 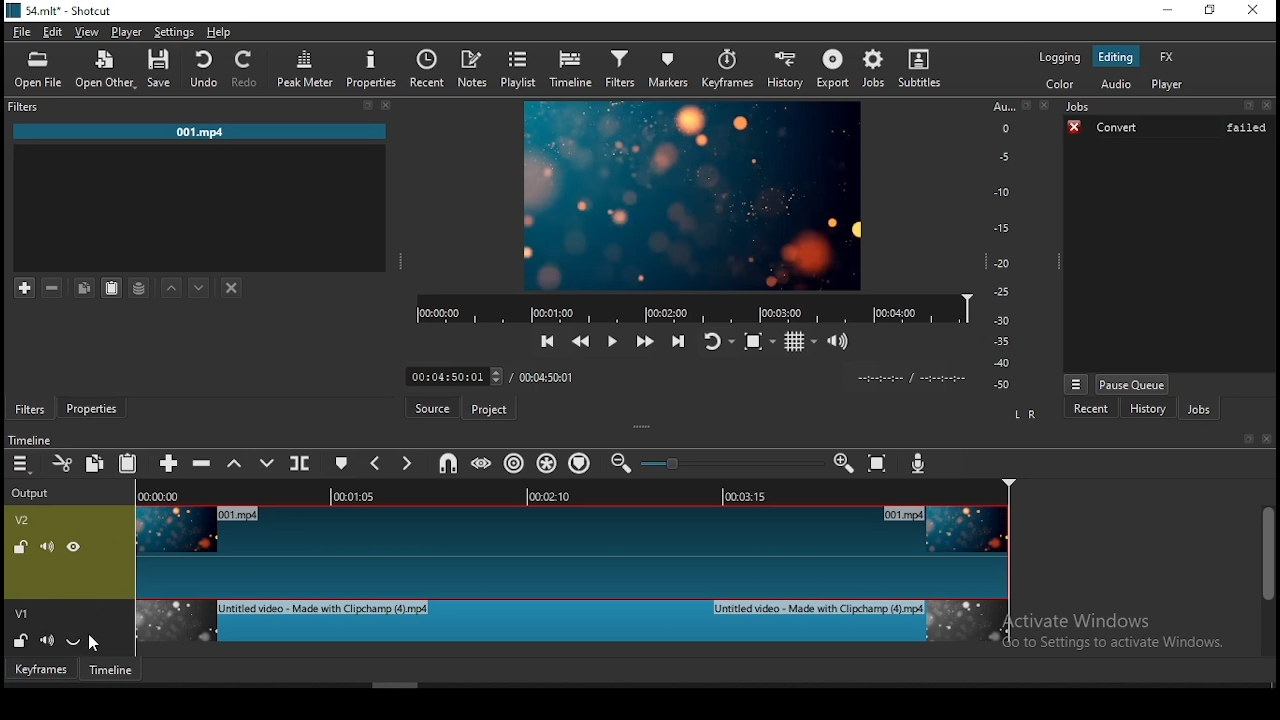 What do you see at coordinates (784, 69) in the screenshot?
I see `history` at bounding box center [784, 69].